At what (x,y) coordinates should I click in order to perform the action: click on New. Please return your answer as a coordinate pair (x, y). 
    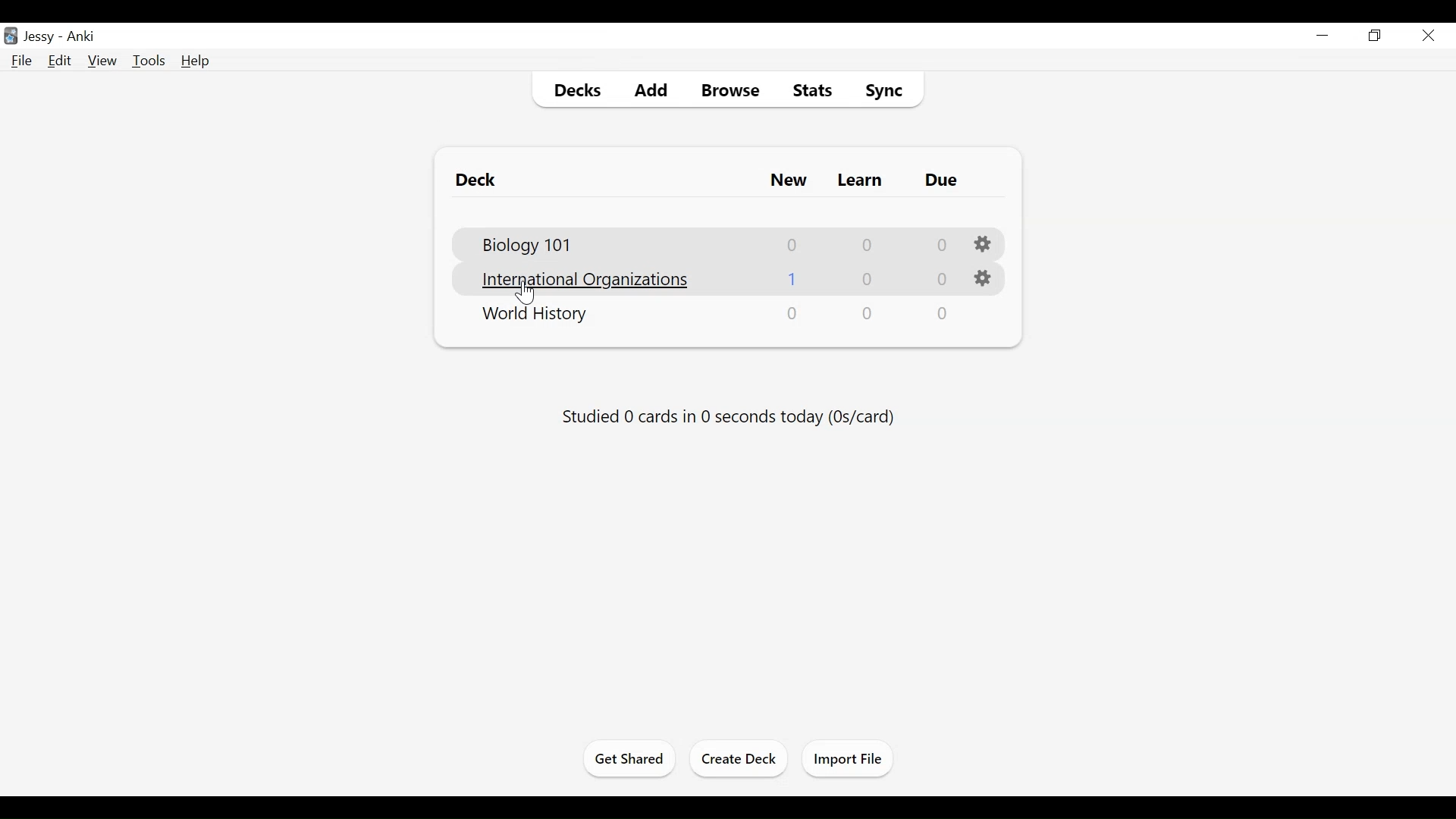
    Looking at the image, I should click on (789, 179).